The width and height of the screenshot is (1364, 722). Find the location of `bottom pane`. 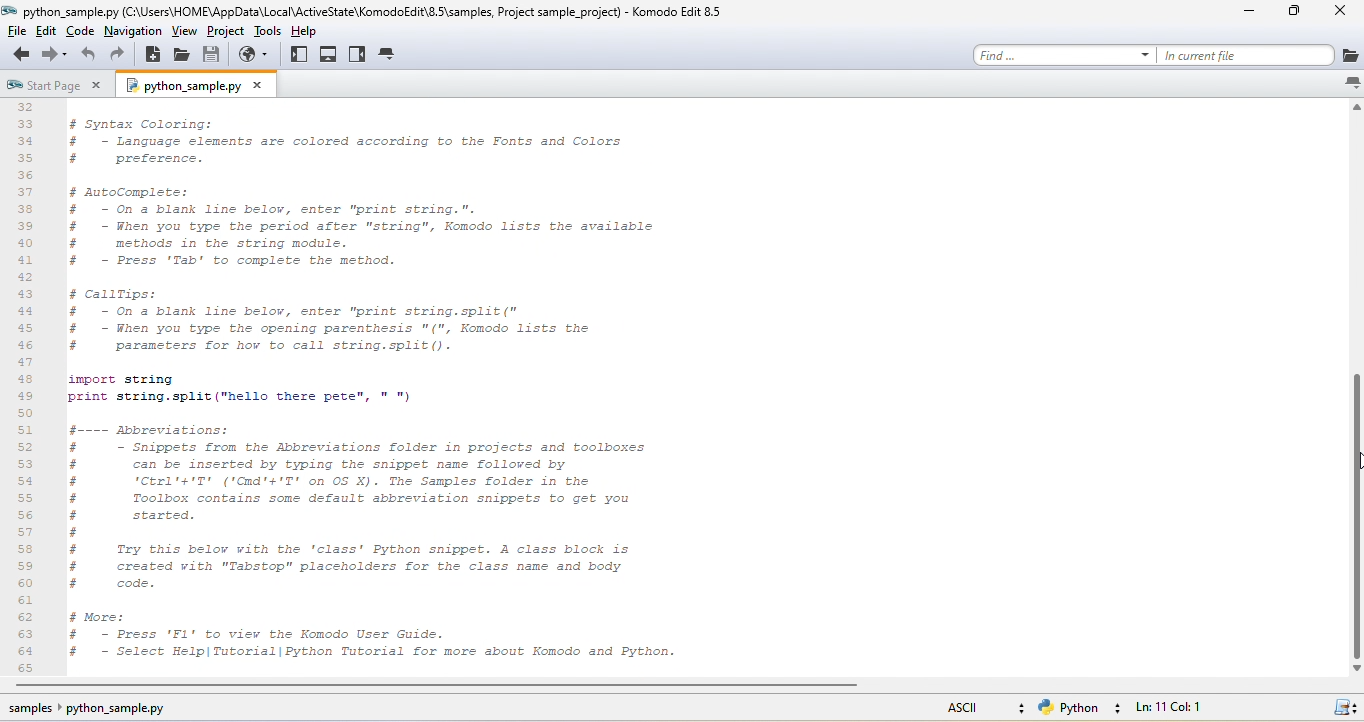

bottom pane is located at coordinates (330, 55).